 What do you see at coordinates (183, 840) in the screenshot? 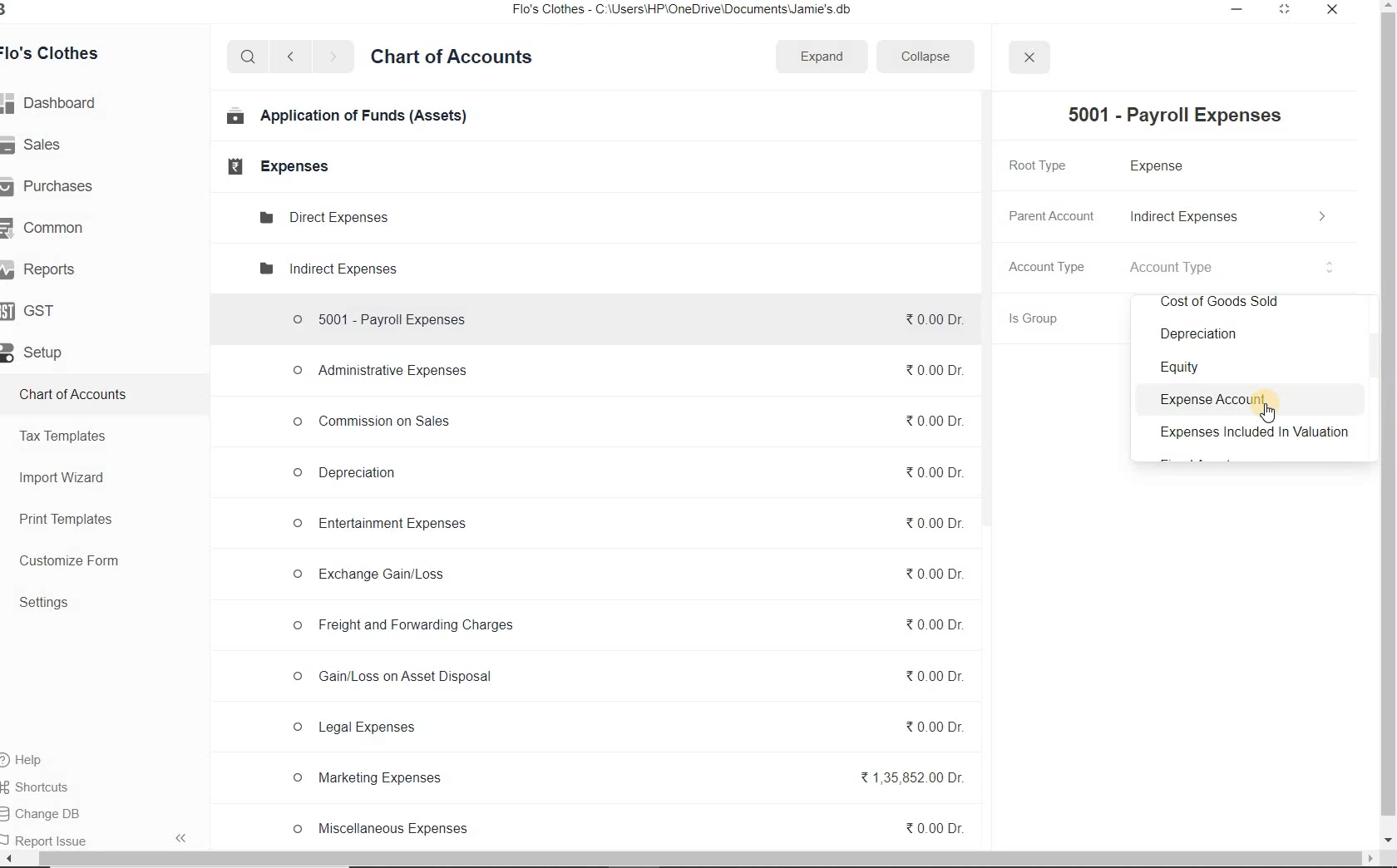
I see `hide` at bounding box center [183, 840].